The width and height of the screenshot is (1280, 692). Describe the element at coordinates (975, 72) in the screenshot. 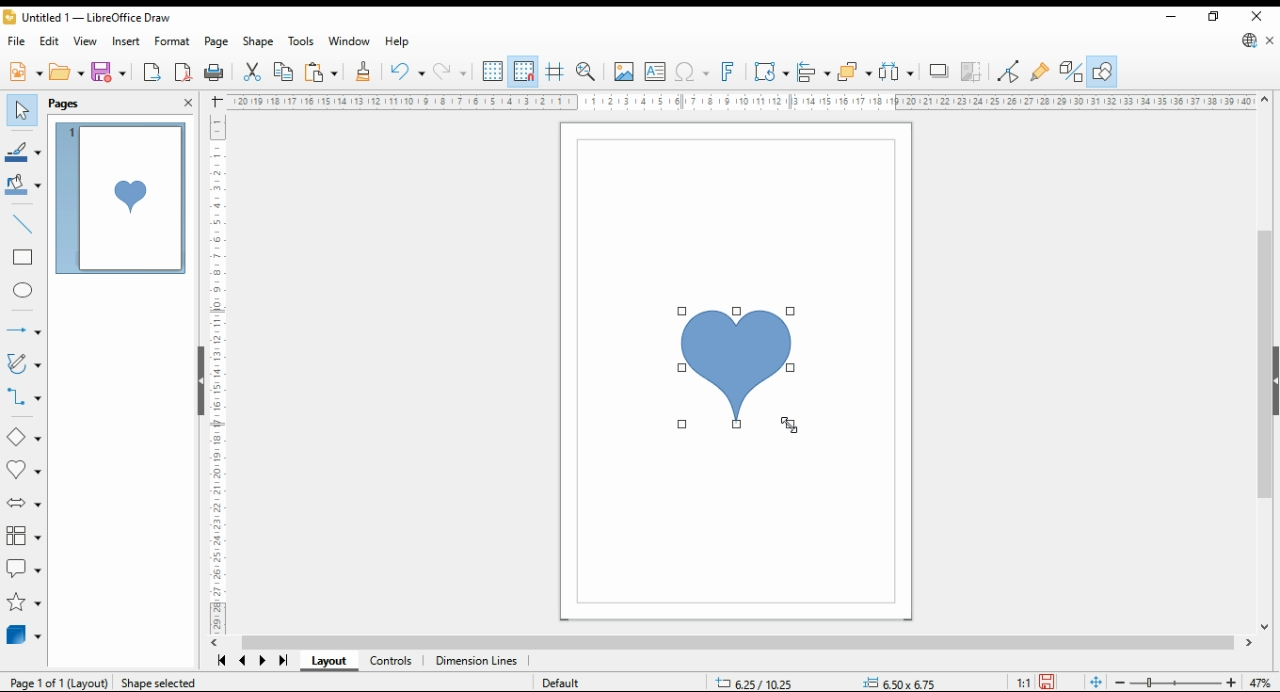

I see `crop` at that location.